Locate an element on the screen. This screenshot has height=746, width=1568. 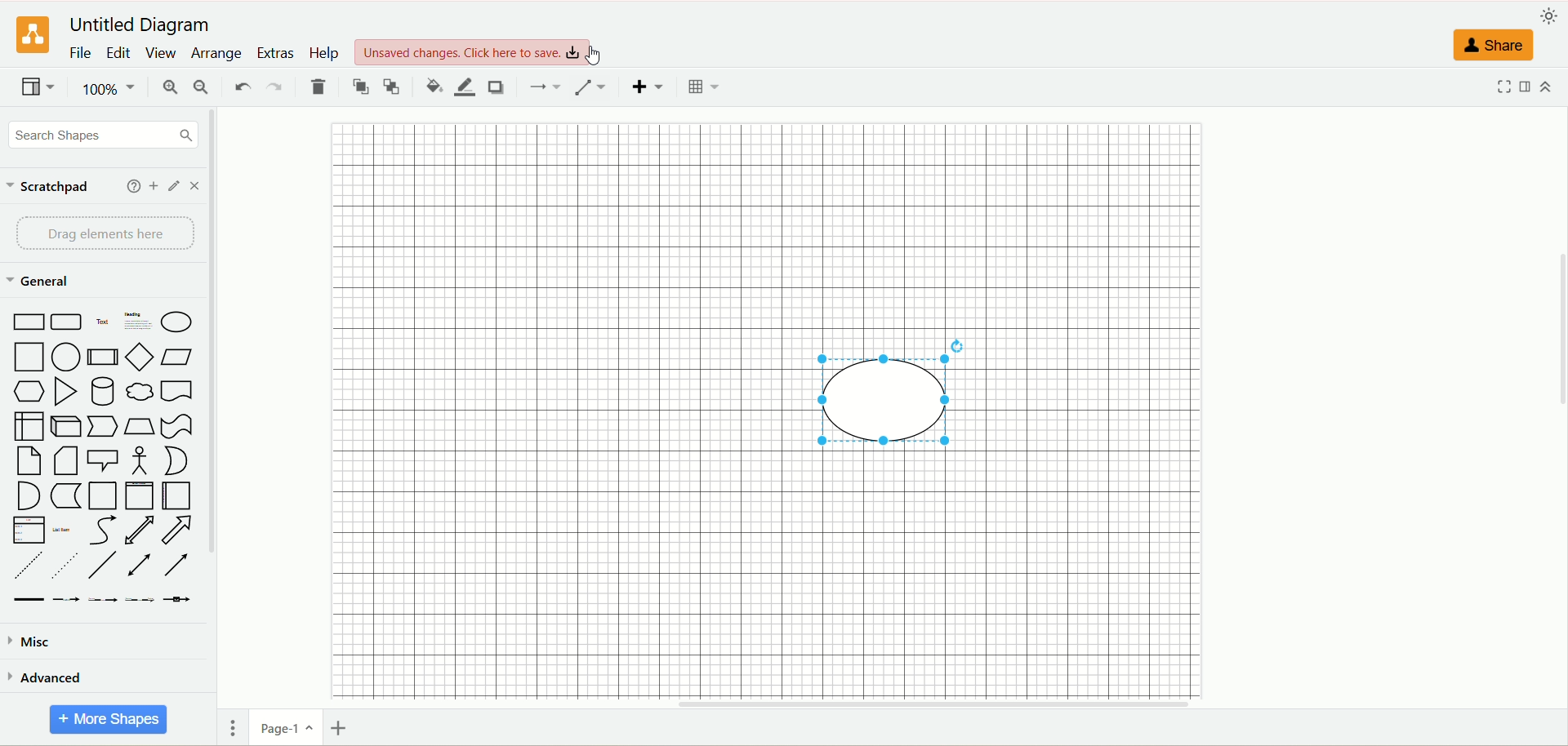
bidirectional arrow is located at coordinates (140, 529).